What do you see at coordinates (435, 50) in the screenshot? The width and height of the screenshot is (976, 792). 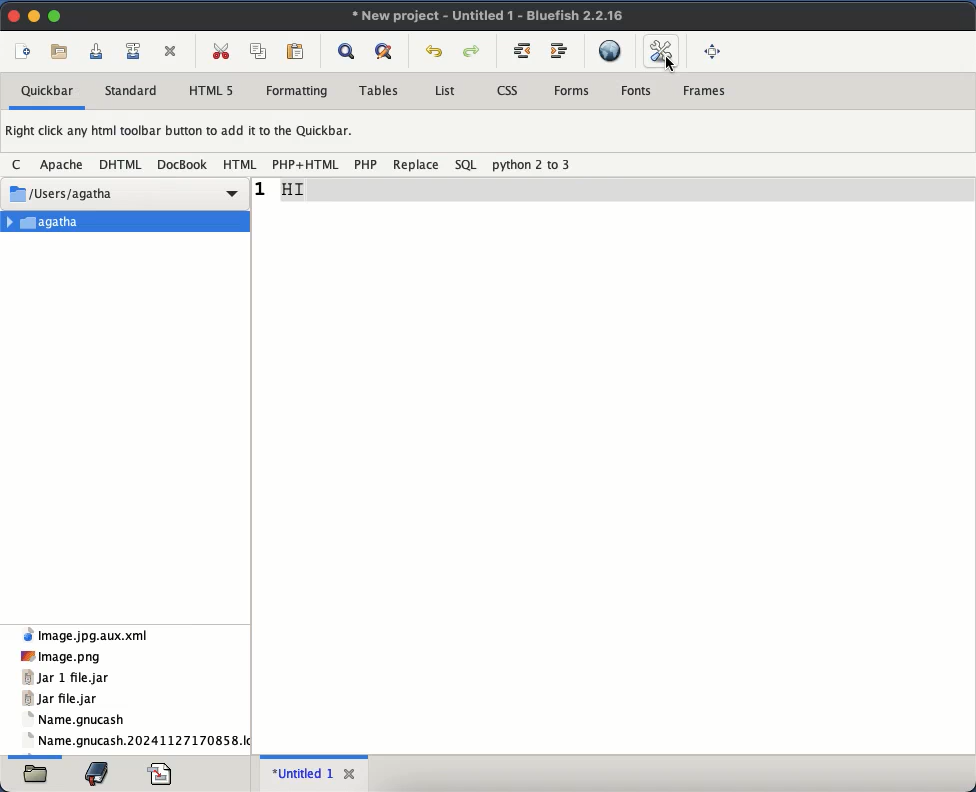 I see `undo` at bounding box center [435, 50].